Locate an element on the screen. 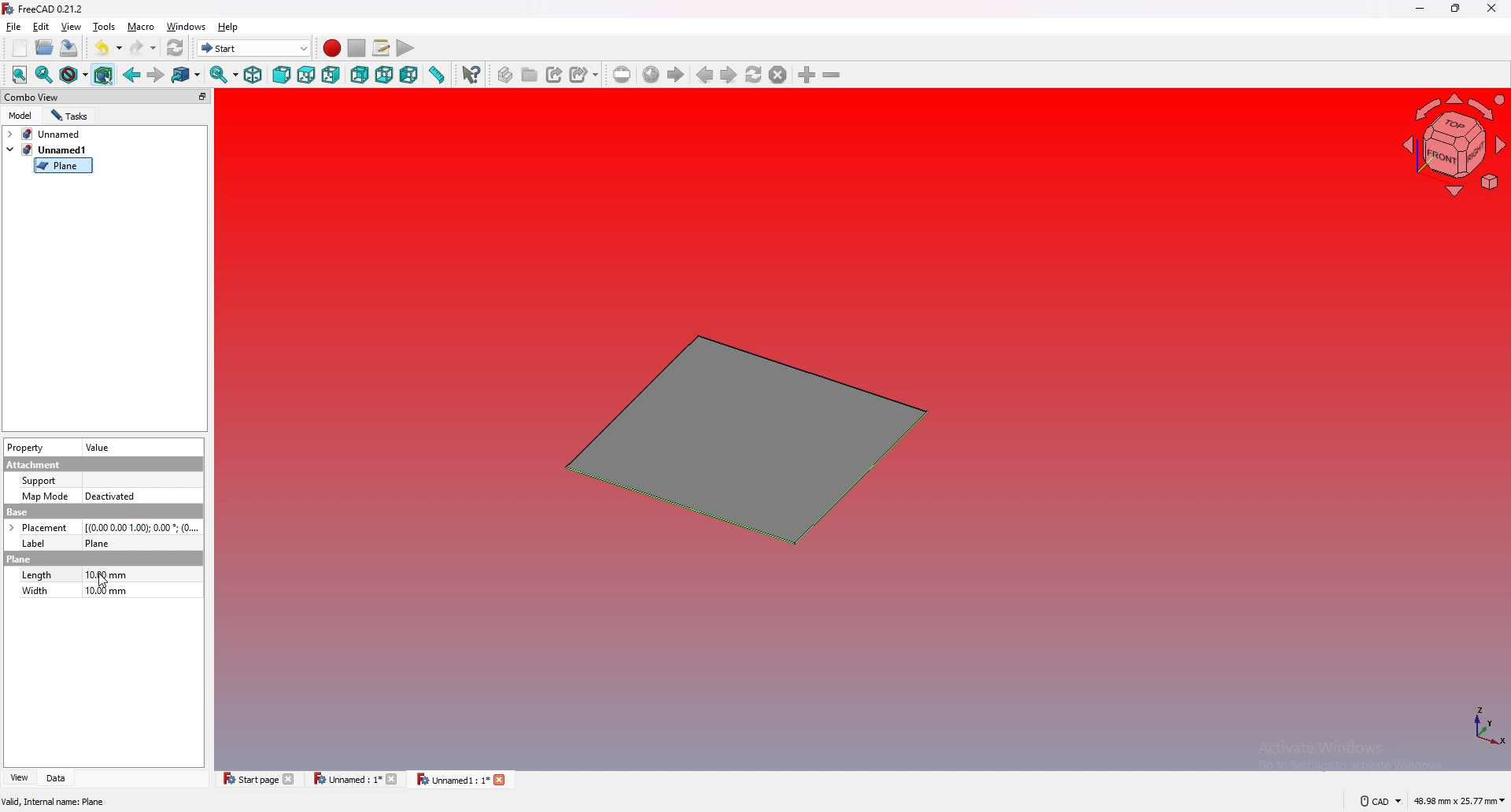  cad navigation is located at coordinates (1380, 800).